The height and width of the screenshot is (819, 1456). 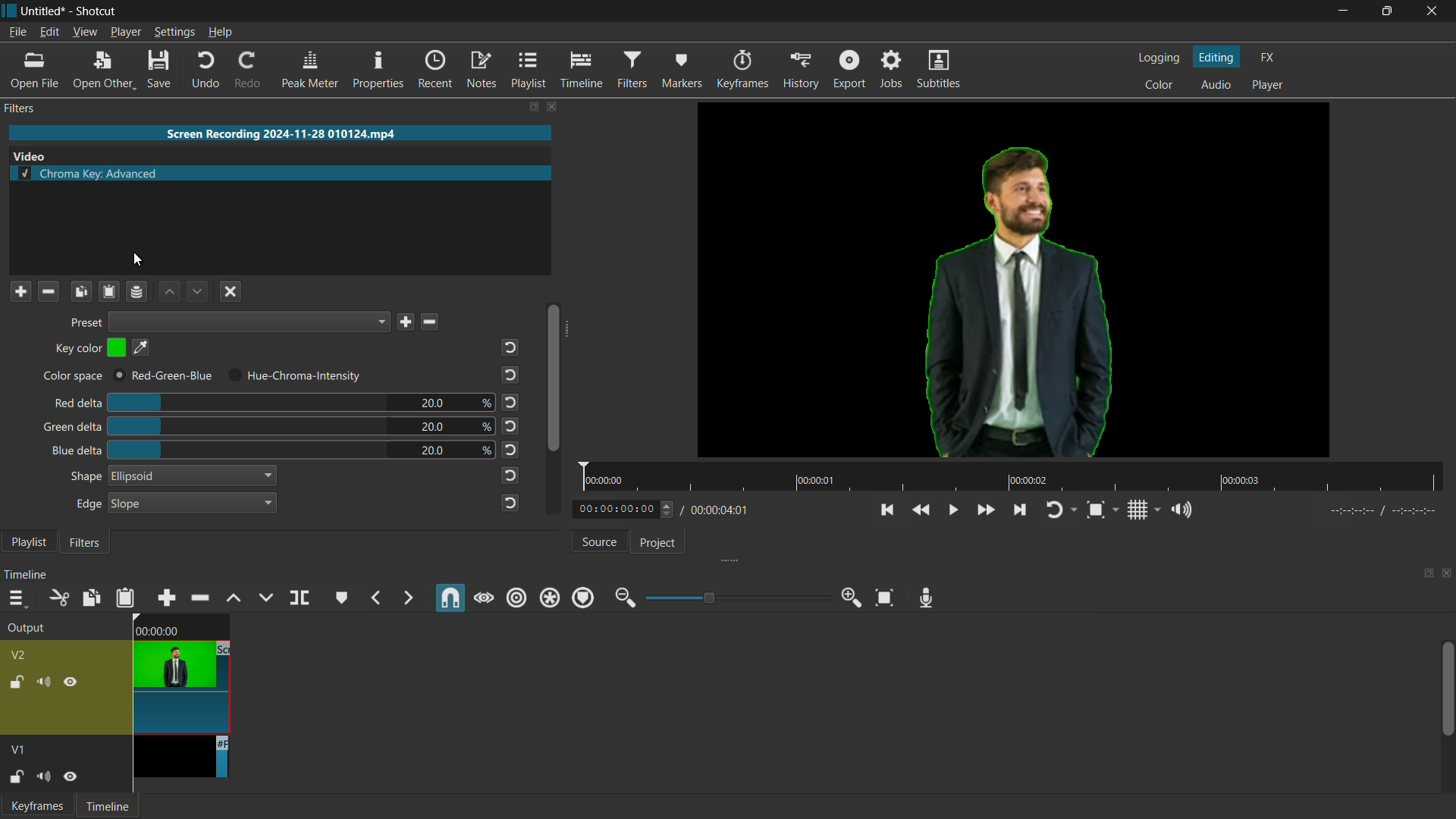 I want to click on close timeline pane, so click(x=1447, y=573).